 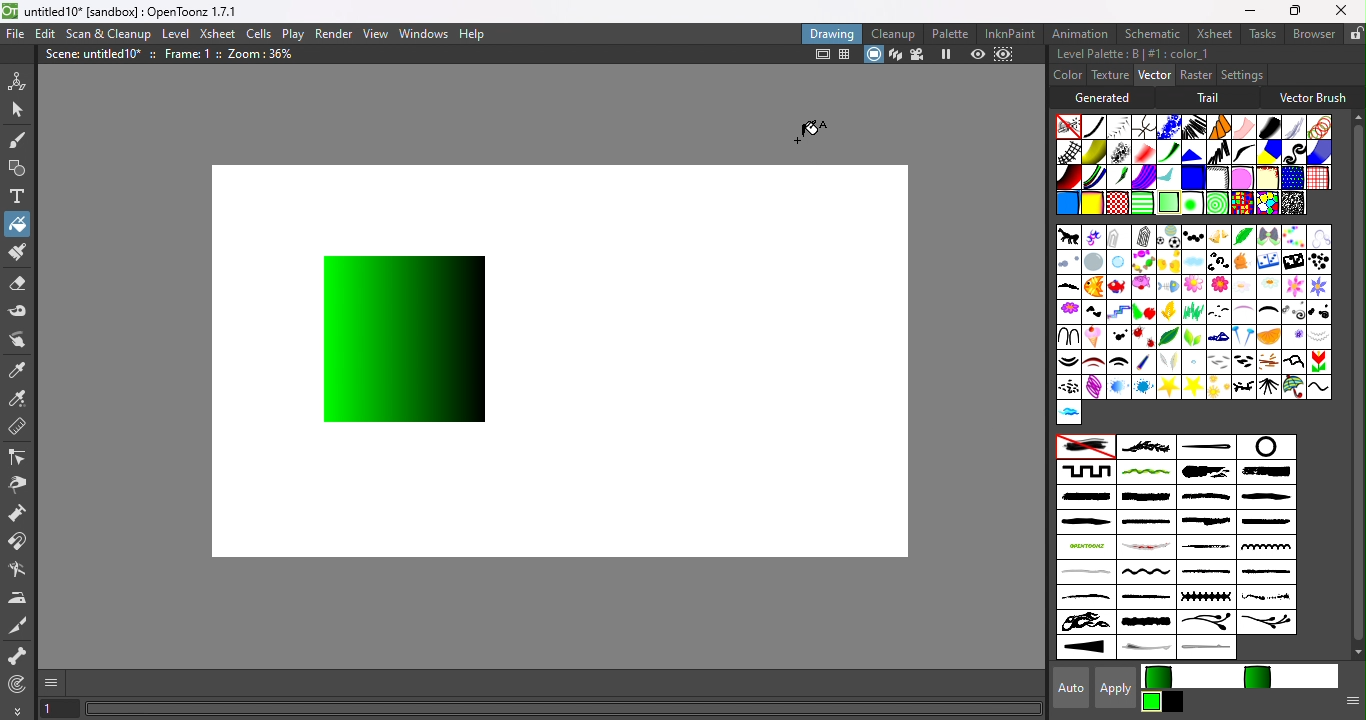 What do you see at coordinates (1317, 362) in the screenshot?
I see `scho` at bounding box center [1317, 362].